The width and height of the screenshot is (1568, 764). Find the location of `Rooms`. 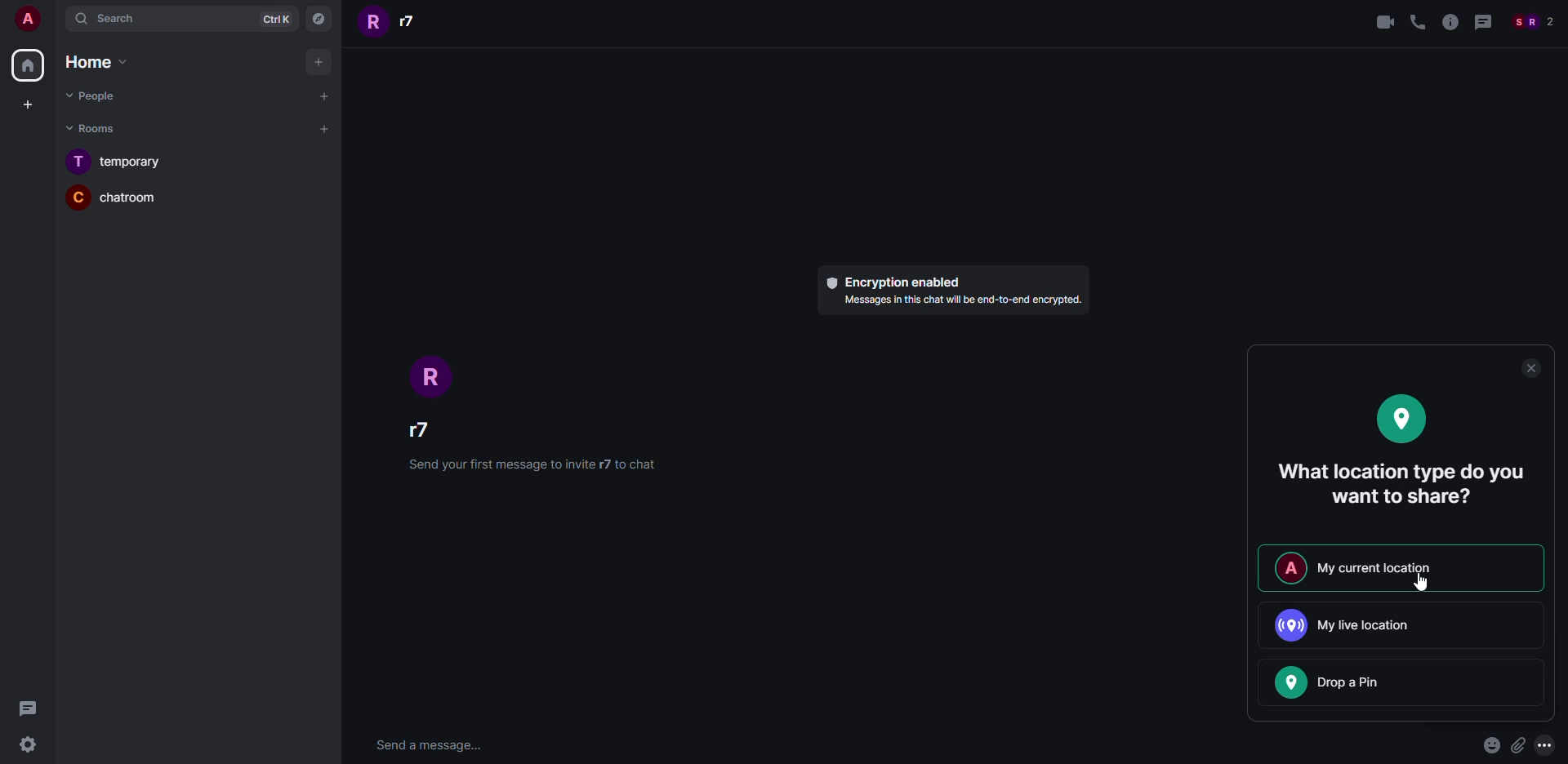

Rooms is located at coordinates (95, 129).